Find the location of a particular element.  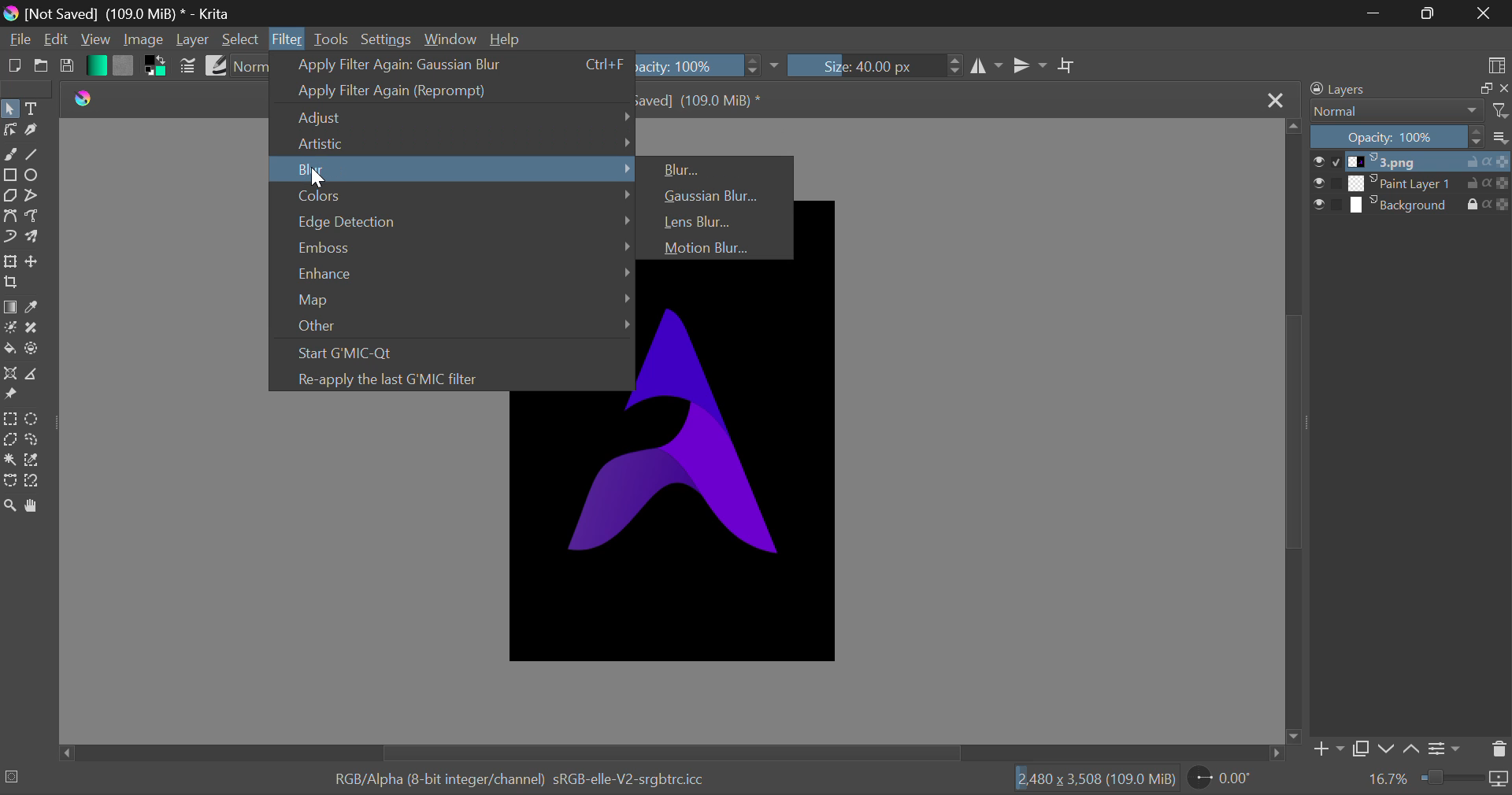

Help is located at coordinates (507, 39).